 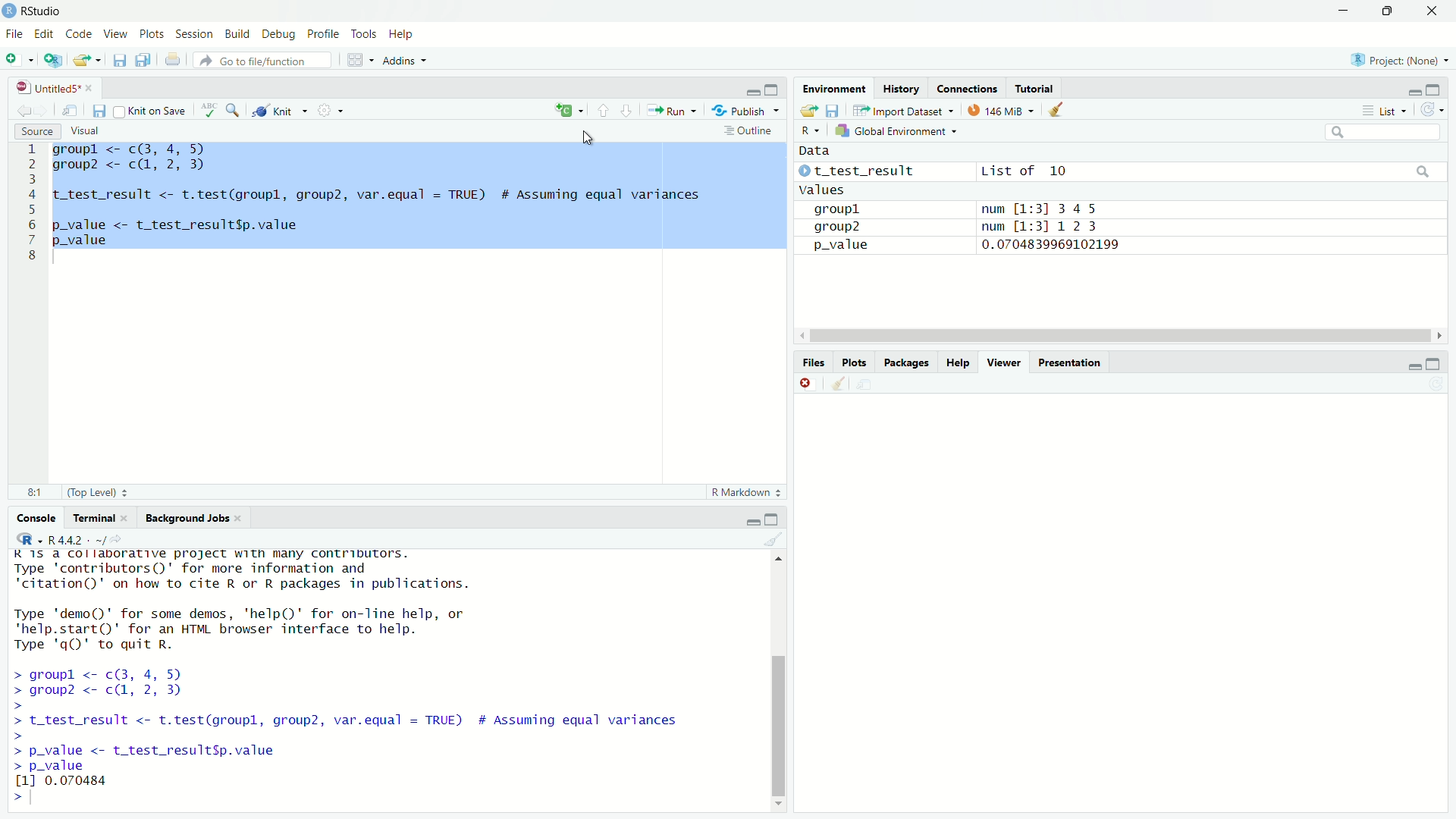 What do you see at coordinates (29, 538) in the screenshot?
I see `RStudio logo` at bounding box center [29, 538].